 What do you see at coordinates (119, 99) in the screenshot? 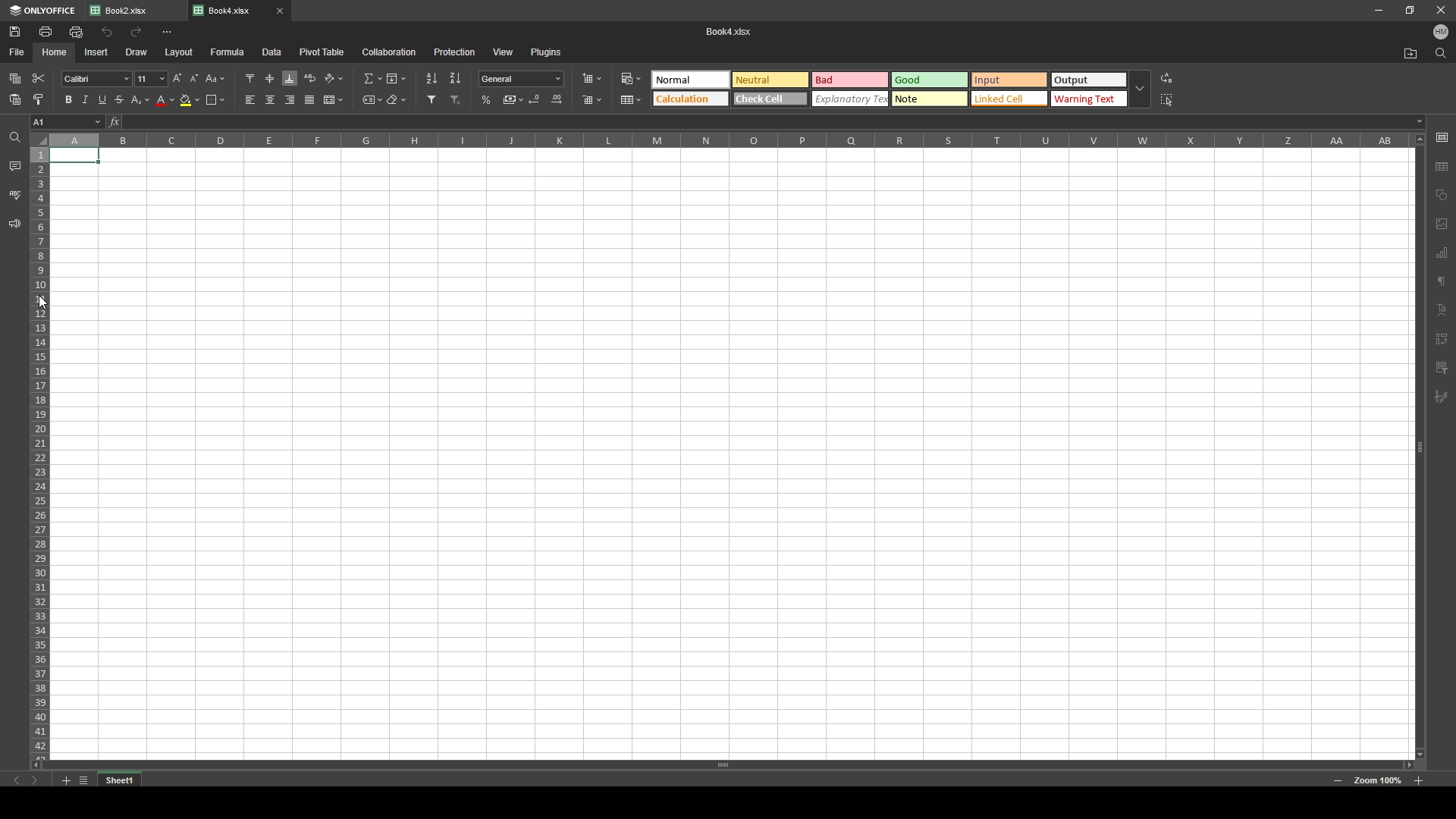
I see `strikethrough` at bounding box center [119, 99].